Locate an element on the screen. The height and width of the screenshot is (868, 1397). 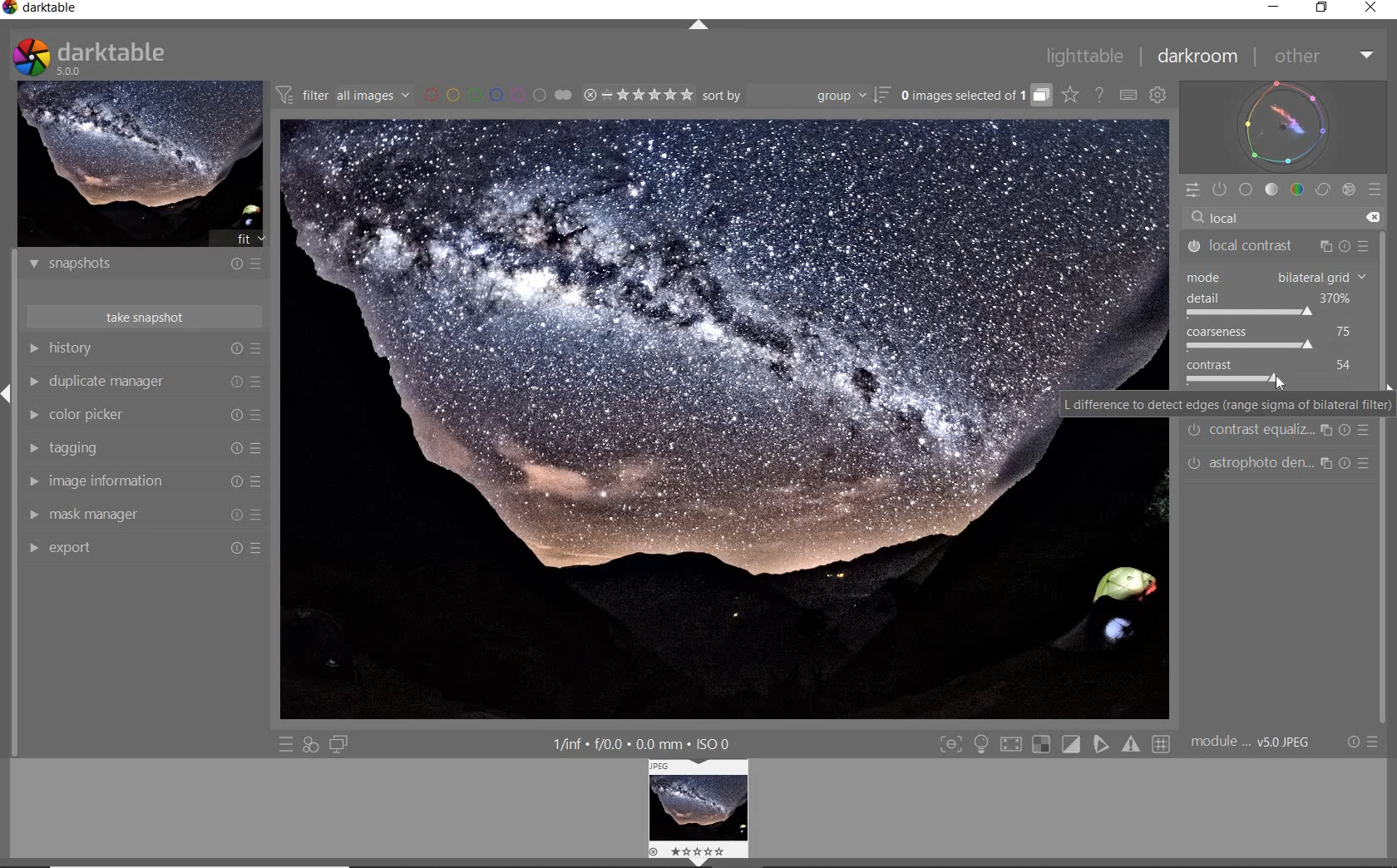
Switched off is located at coordinates (1189, 247).